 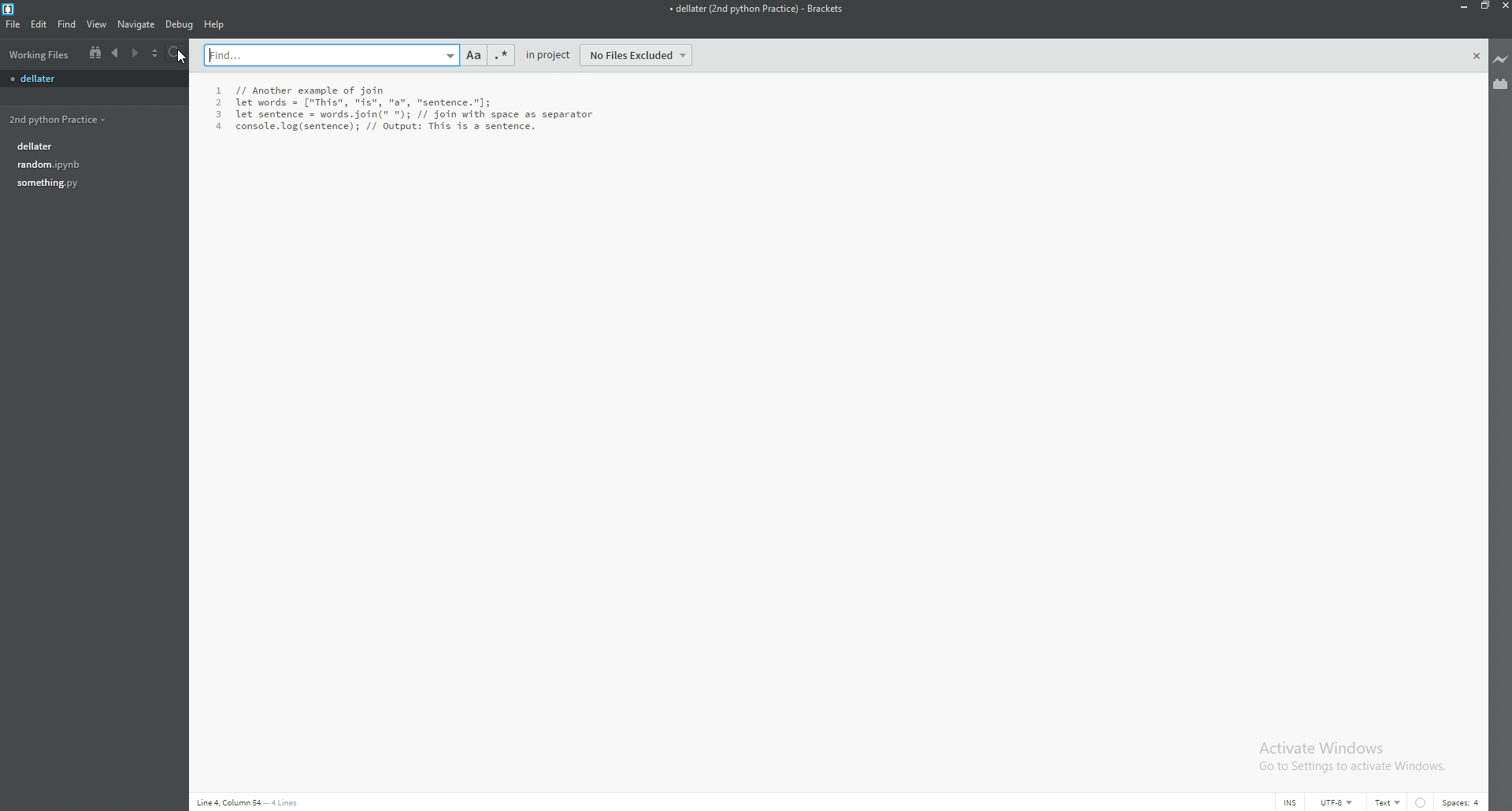 What do you see at coordinates (1390, 799) in the screenshot?
I see `text` at bounding box center [1390, 799].